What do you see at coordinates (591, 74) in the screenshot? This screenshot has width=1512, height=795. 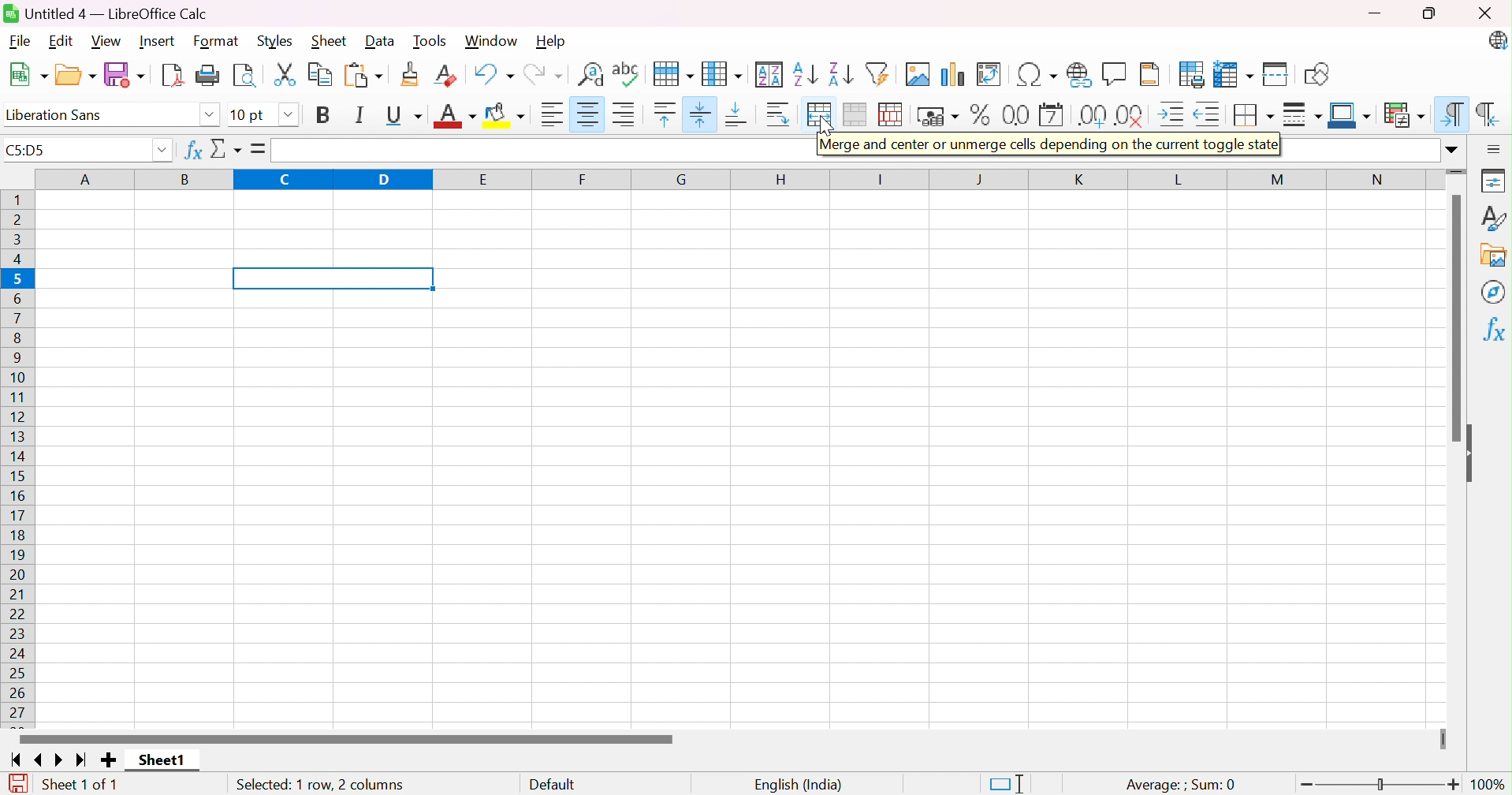 I see `Find and Replace` at bounding box center [591, 74].